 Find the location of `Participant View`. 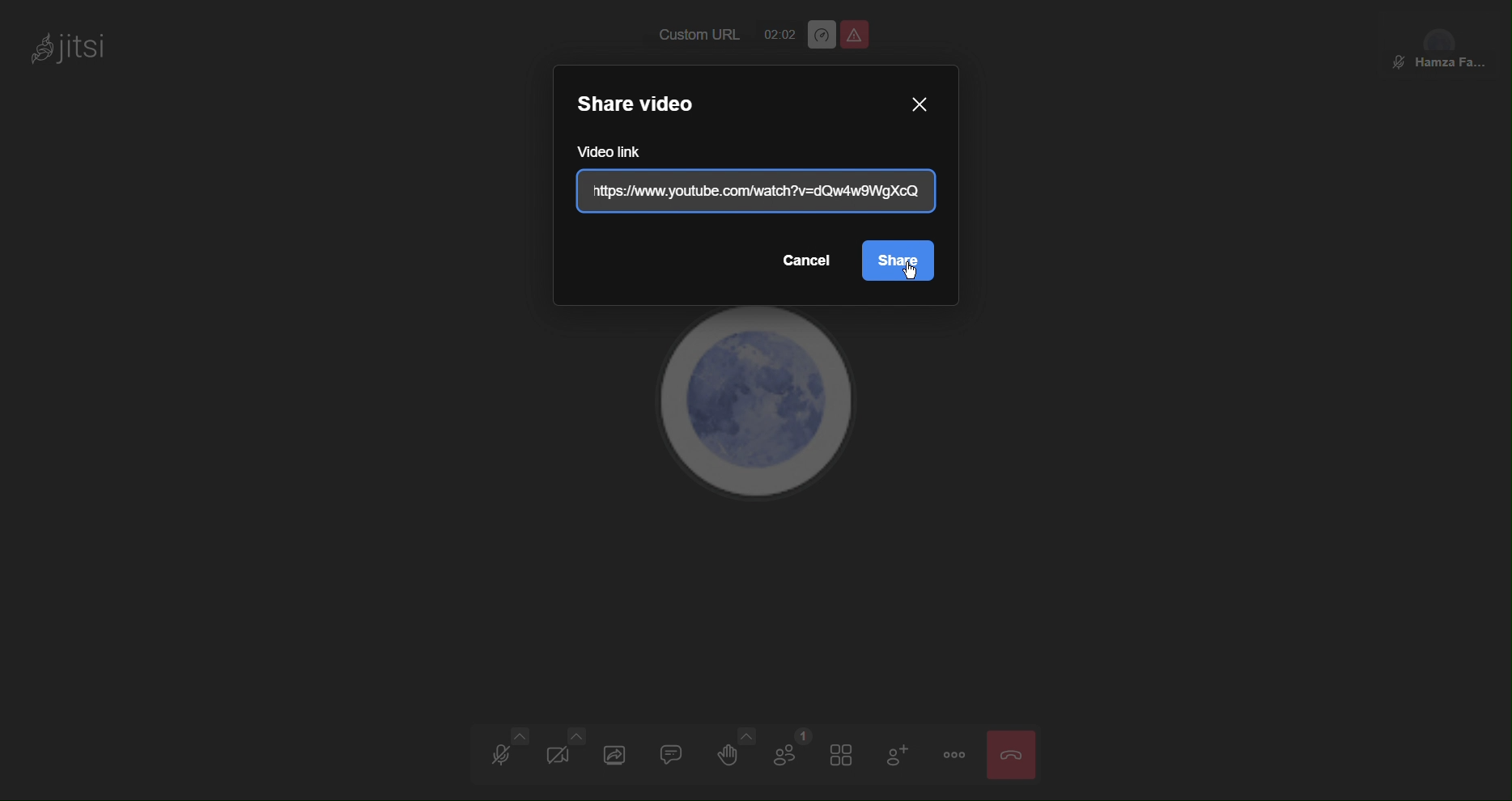

Participant View is located at coordinates (1441, 43).